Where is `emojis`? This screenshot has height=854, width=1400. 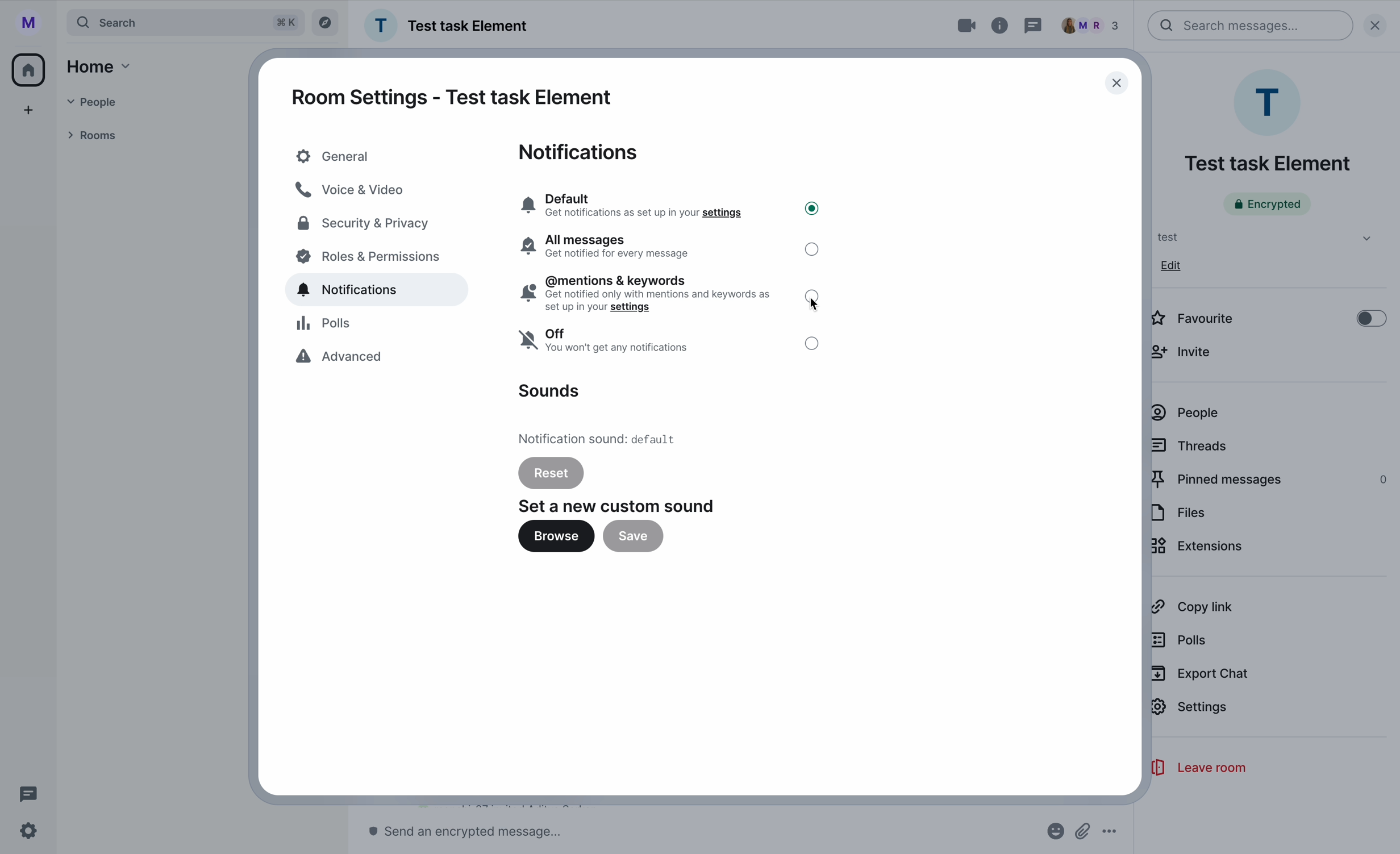
emojis is located at coordinates (1054, 832).